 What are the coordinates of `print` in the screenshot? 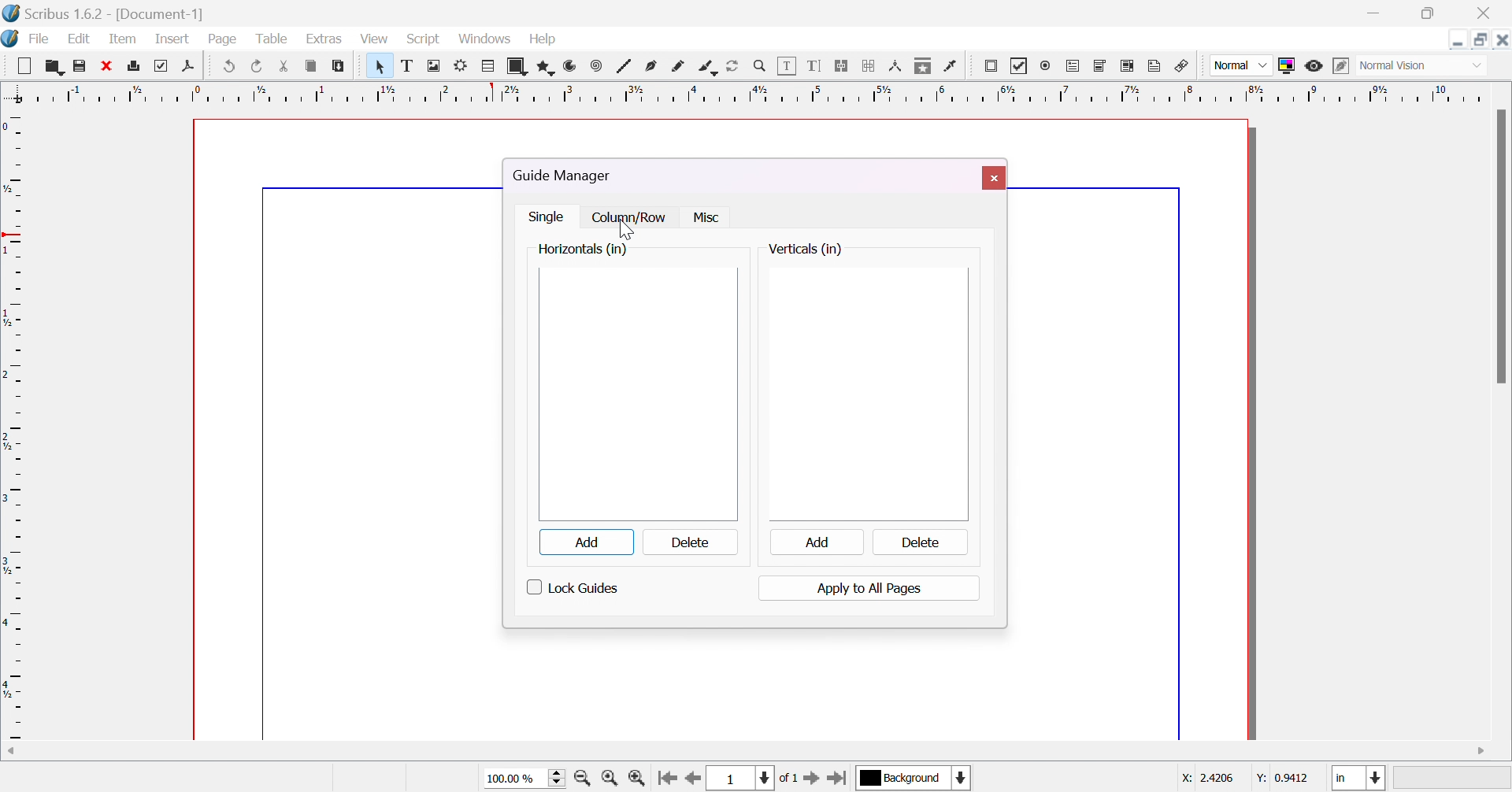 It's located at (138, 65).